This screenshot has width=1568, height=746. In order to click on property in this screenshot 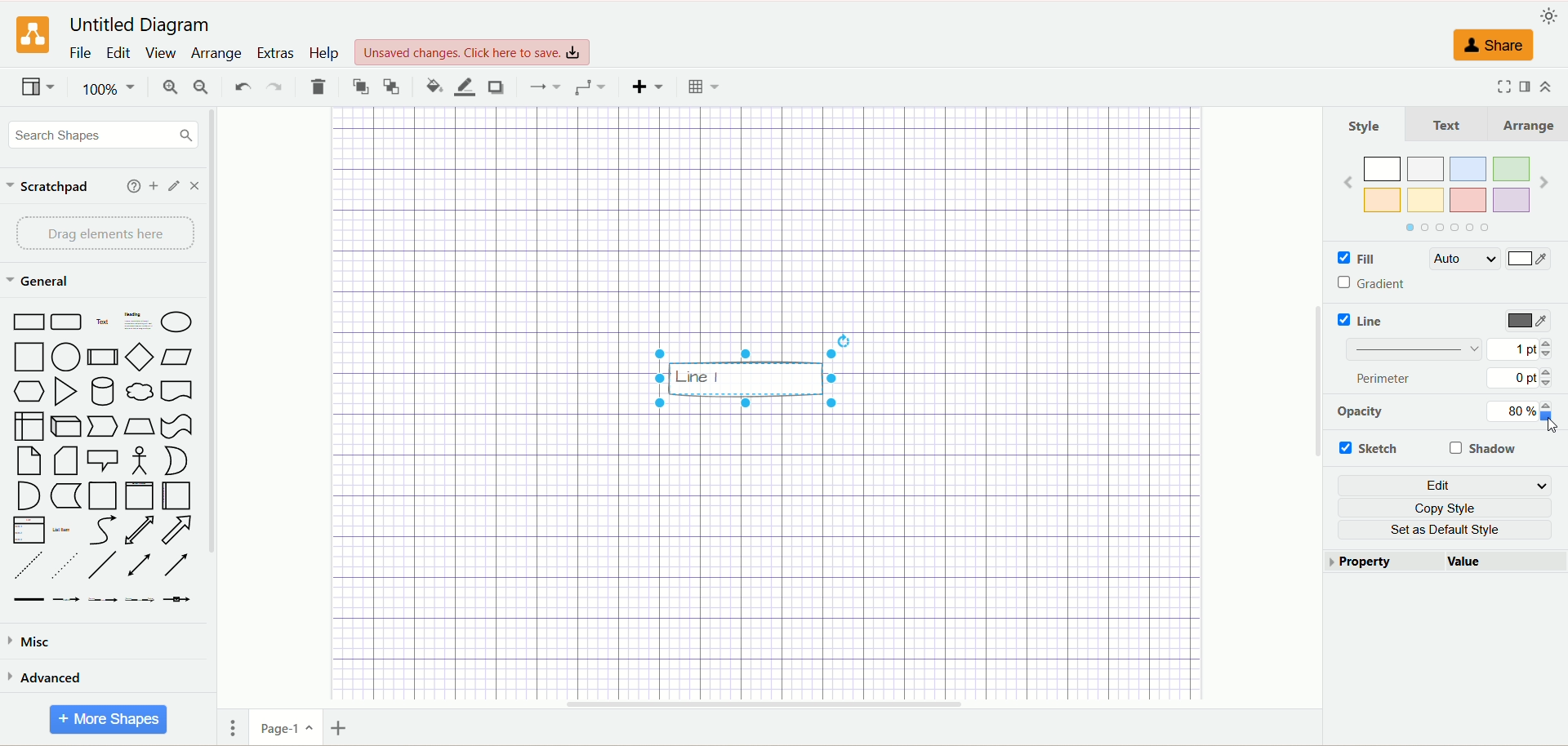, I will do `click(1379, 562)`.